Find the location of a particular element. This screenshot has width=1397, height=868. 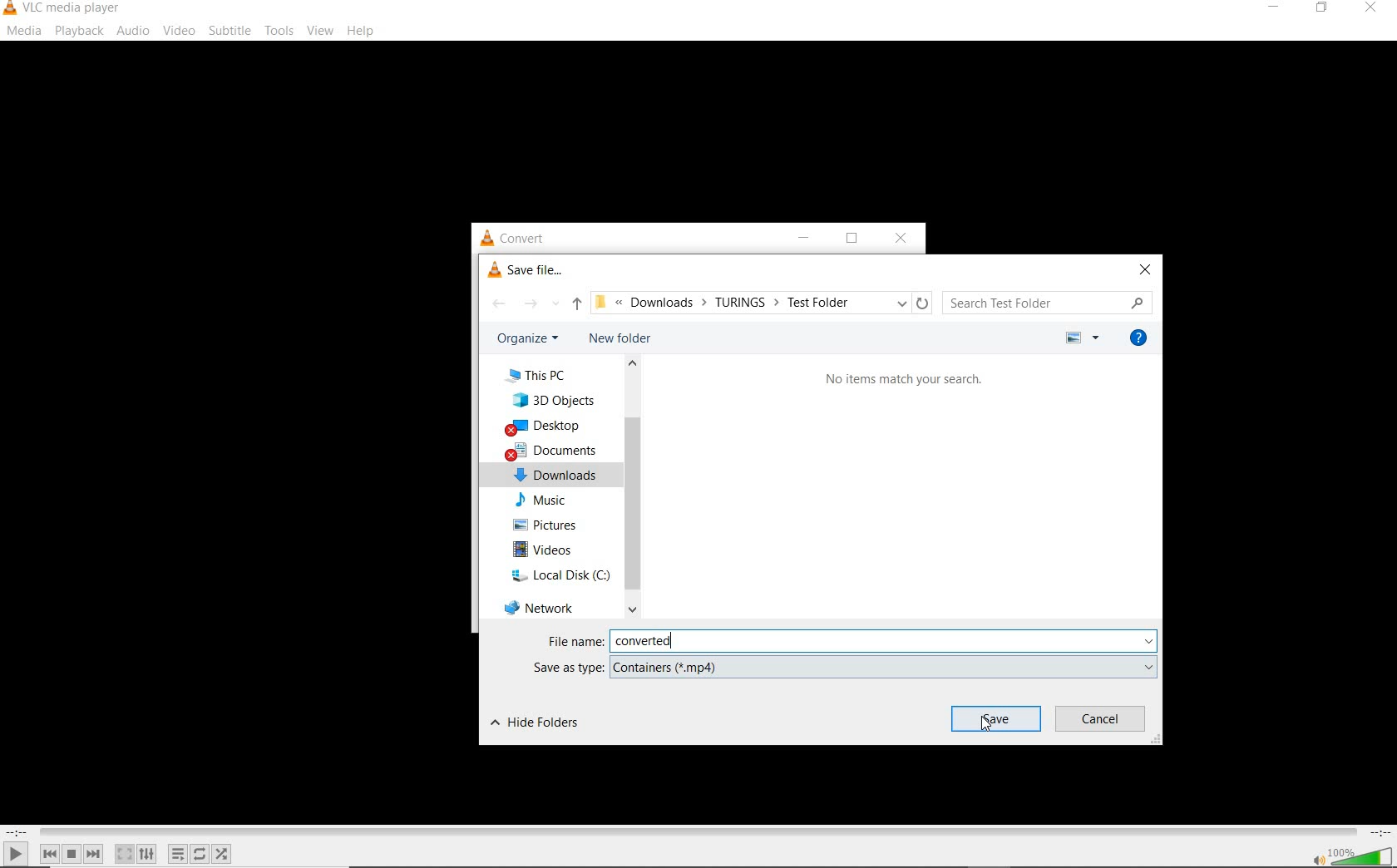

remaining time is located at coordinates (1379, 832).